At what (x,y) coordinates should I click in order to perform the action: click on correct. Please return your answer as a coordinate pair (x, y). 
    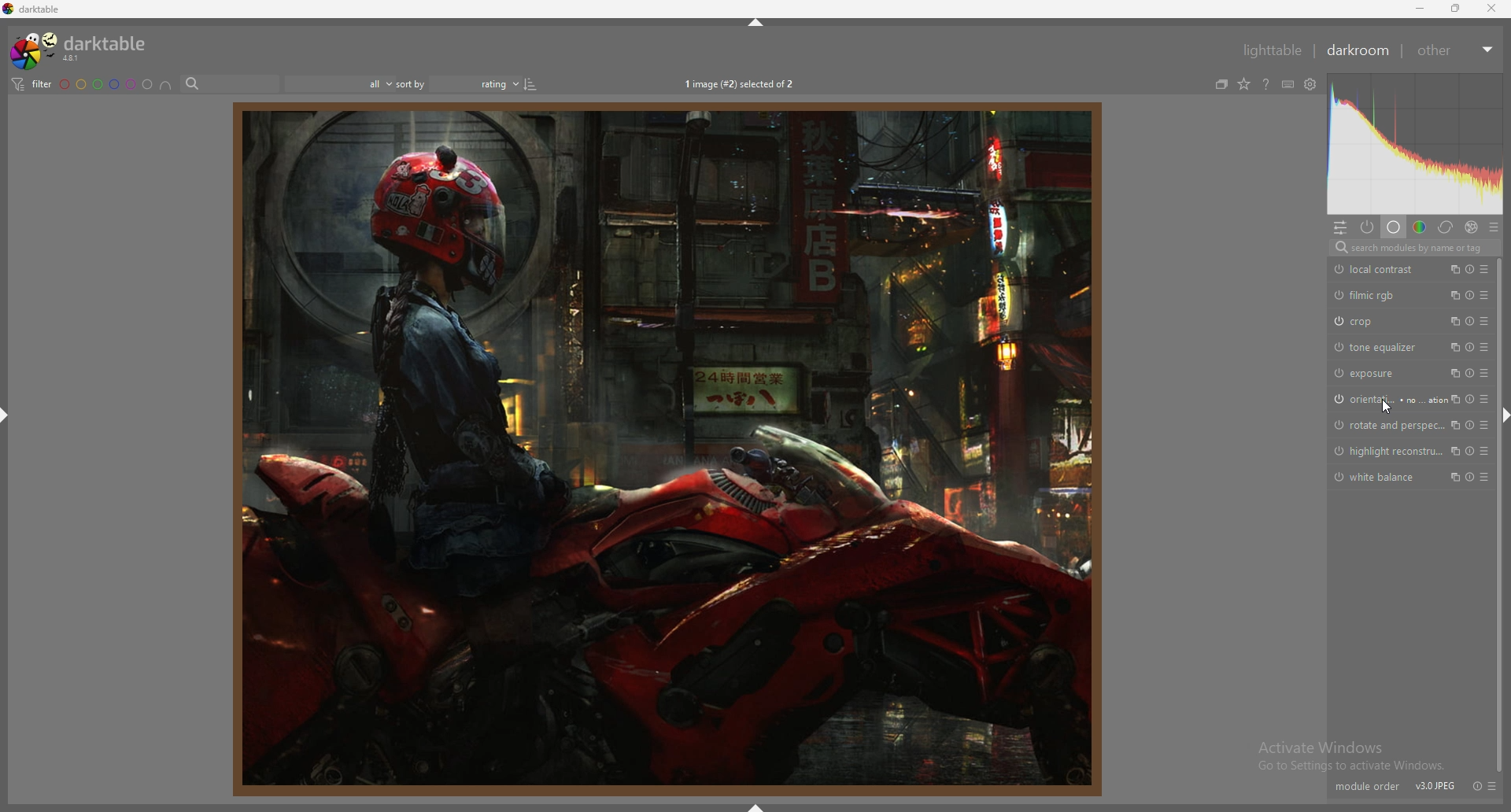
    Looking at the image, I should click on (1446, 228).